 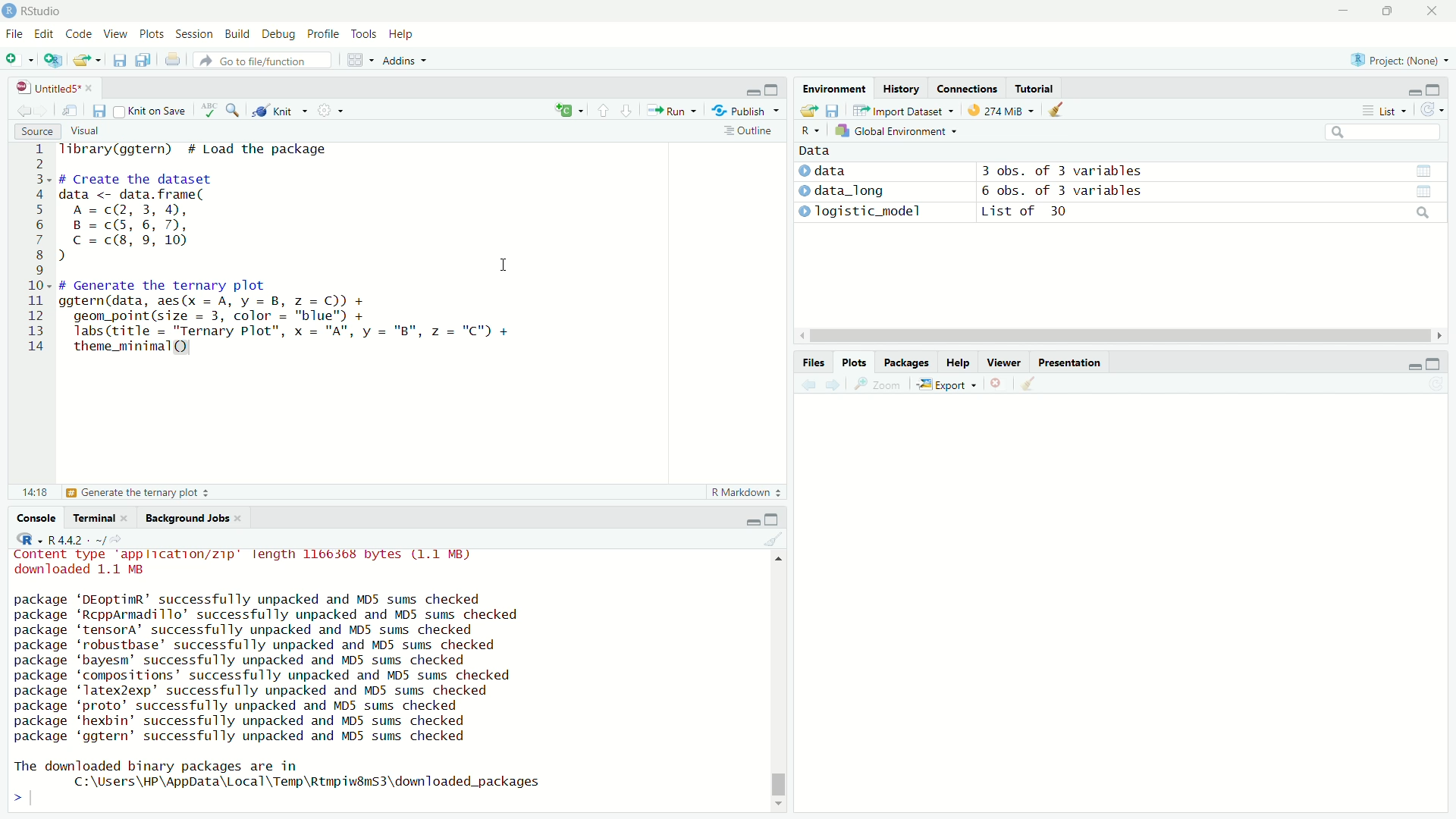 I want to click on Packages, so click(x=904, y=361).